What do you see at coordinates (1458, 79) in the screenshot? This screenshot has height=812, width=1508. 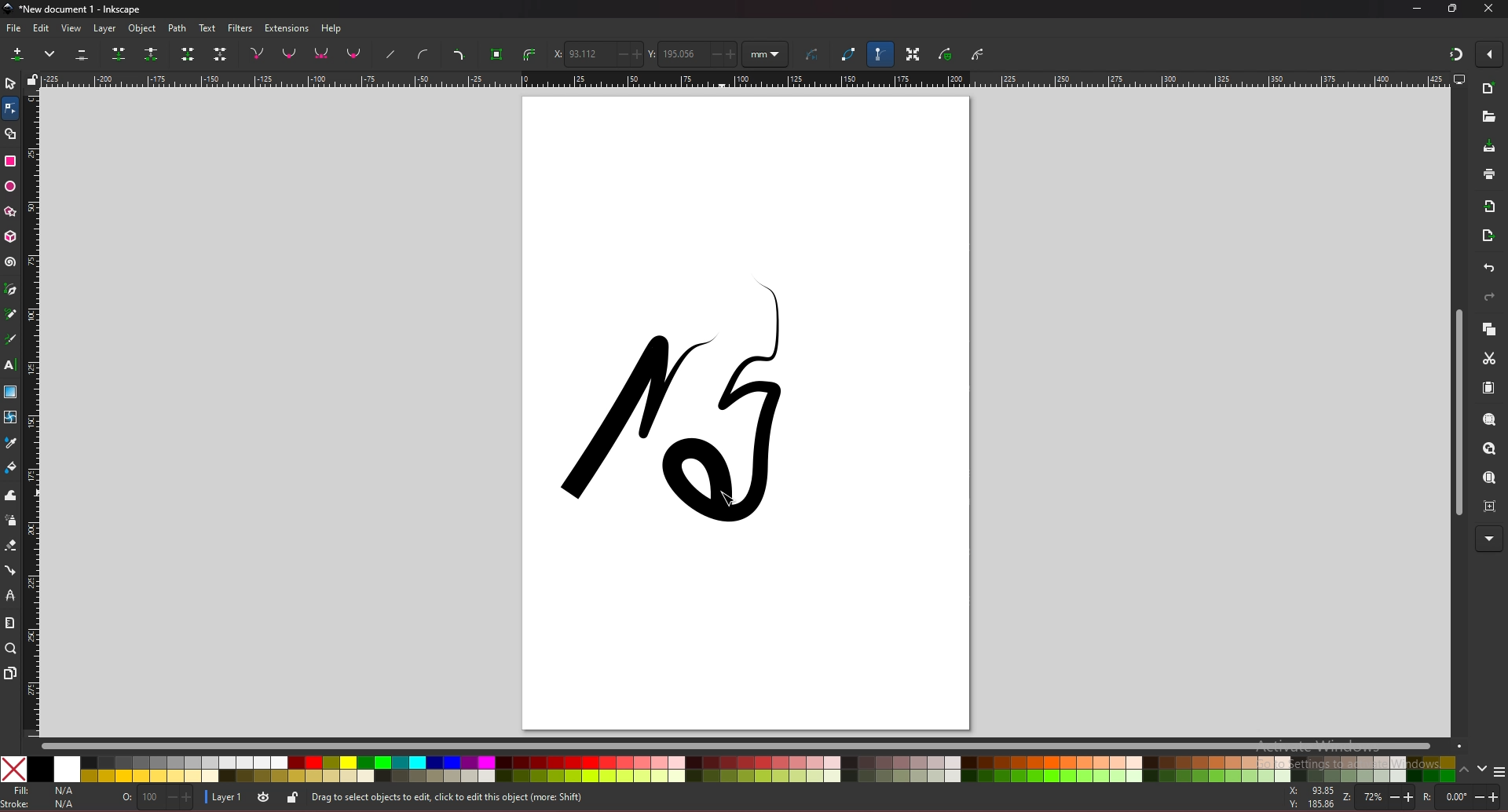 I see `display options` at bounding box center [1458, 79].